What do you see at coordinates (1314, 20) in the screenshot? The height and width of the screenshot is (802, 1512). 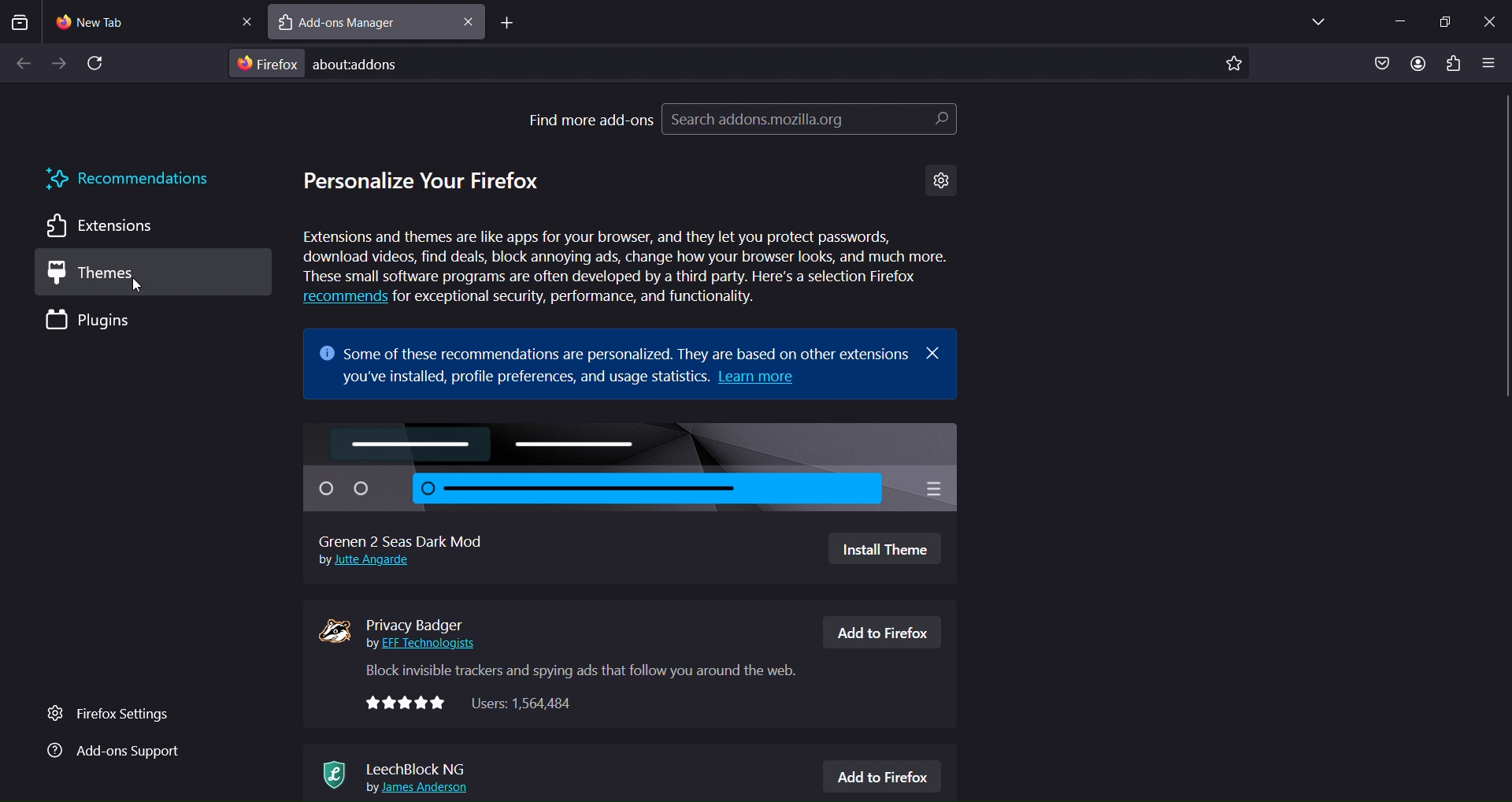 I see `list all tabs` at bounding box center [1314, 20].